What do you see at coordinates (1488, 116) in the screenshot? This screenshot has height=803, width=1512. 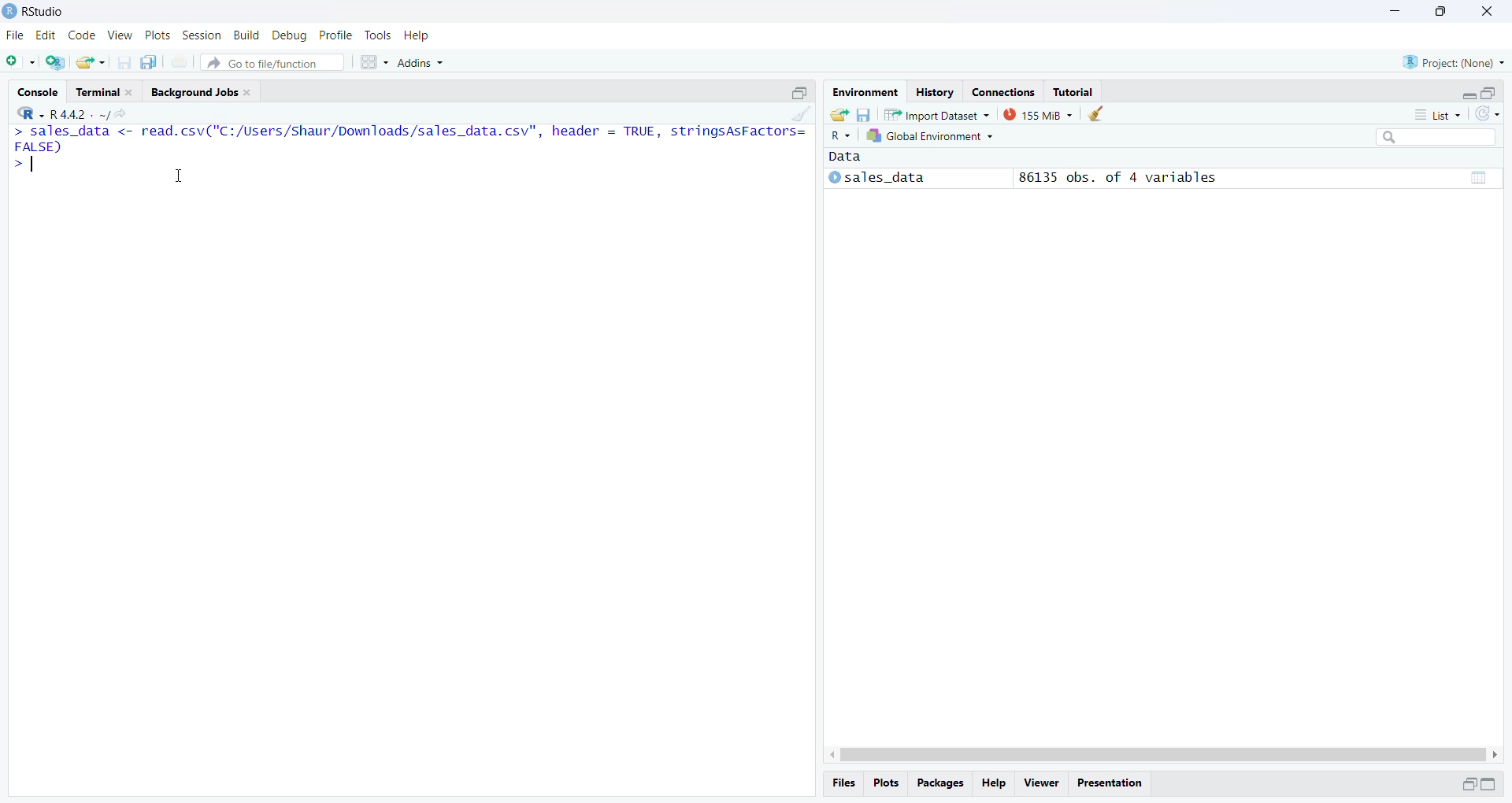 I see `Refresh the list in the Environment` at bounding box center [1488, 116].